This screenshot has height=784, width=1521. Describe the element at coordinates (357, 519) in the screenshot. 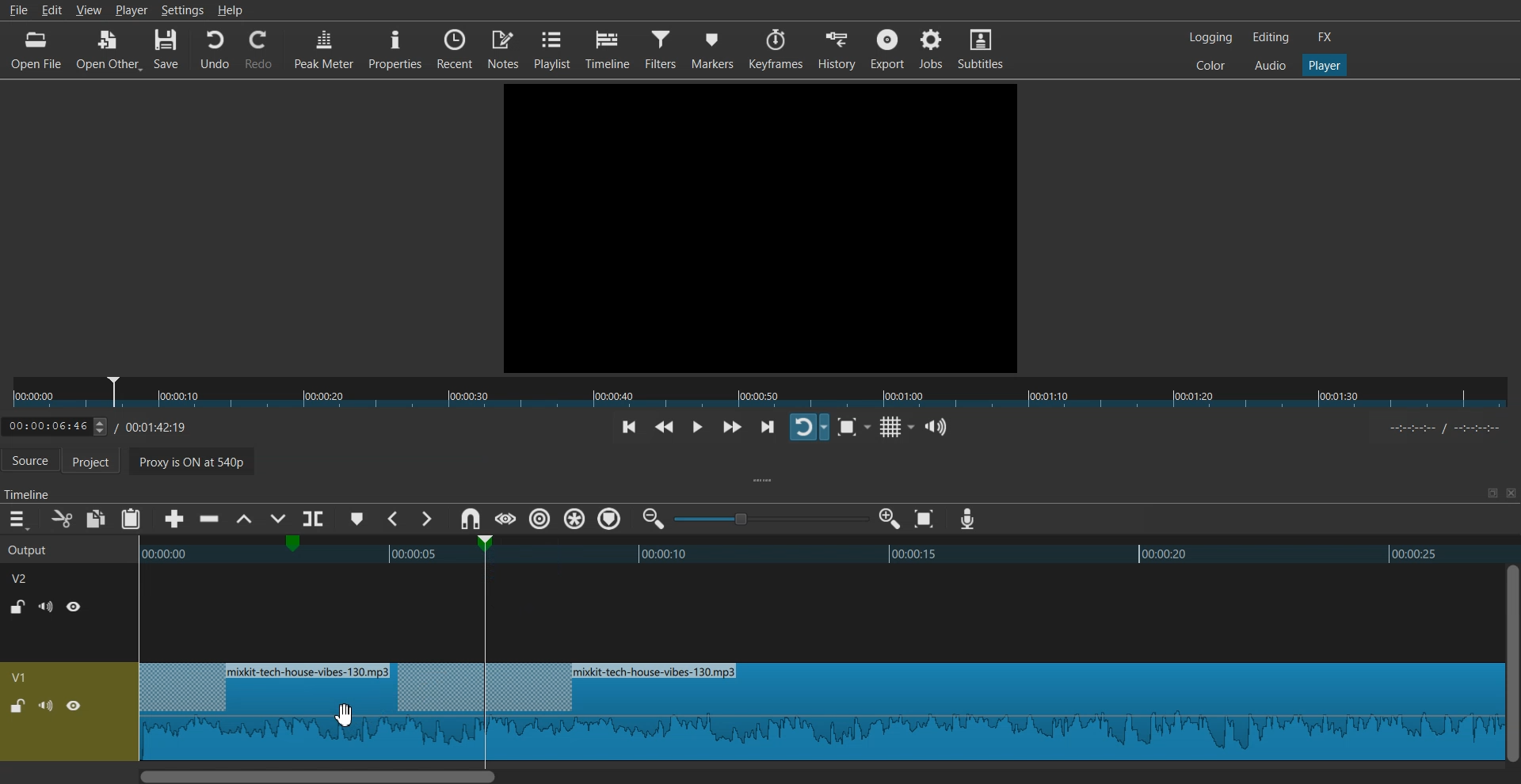

I see `Add marker` at that location.